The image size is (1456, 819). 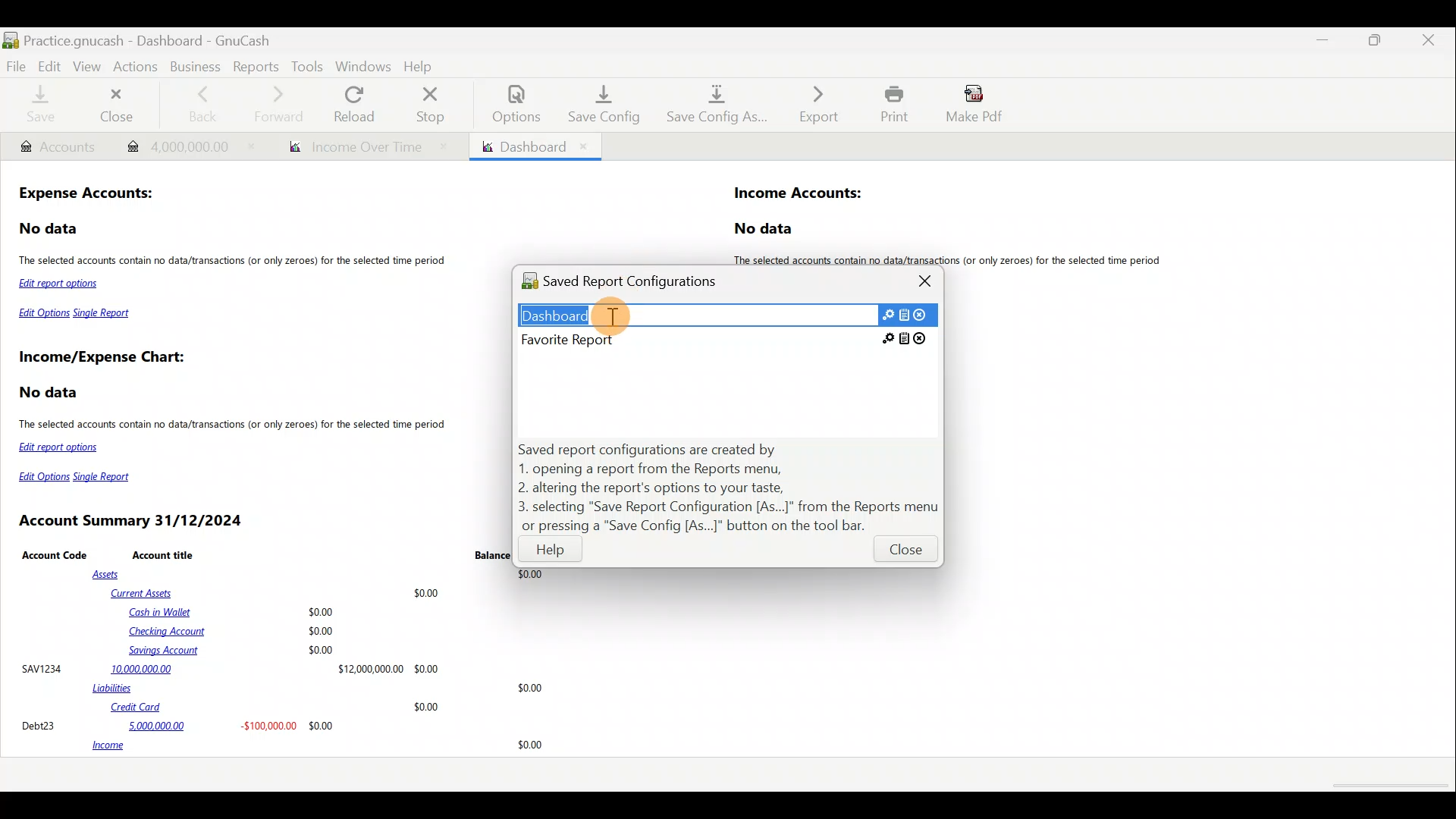 I want to click on Save config as, so click(x=712, y=105).